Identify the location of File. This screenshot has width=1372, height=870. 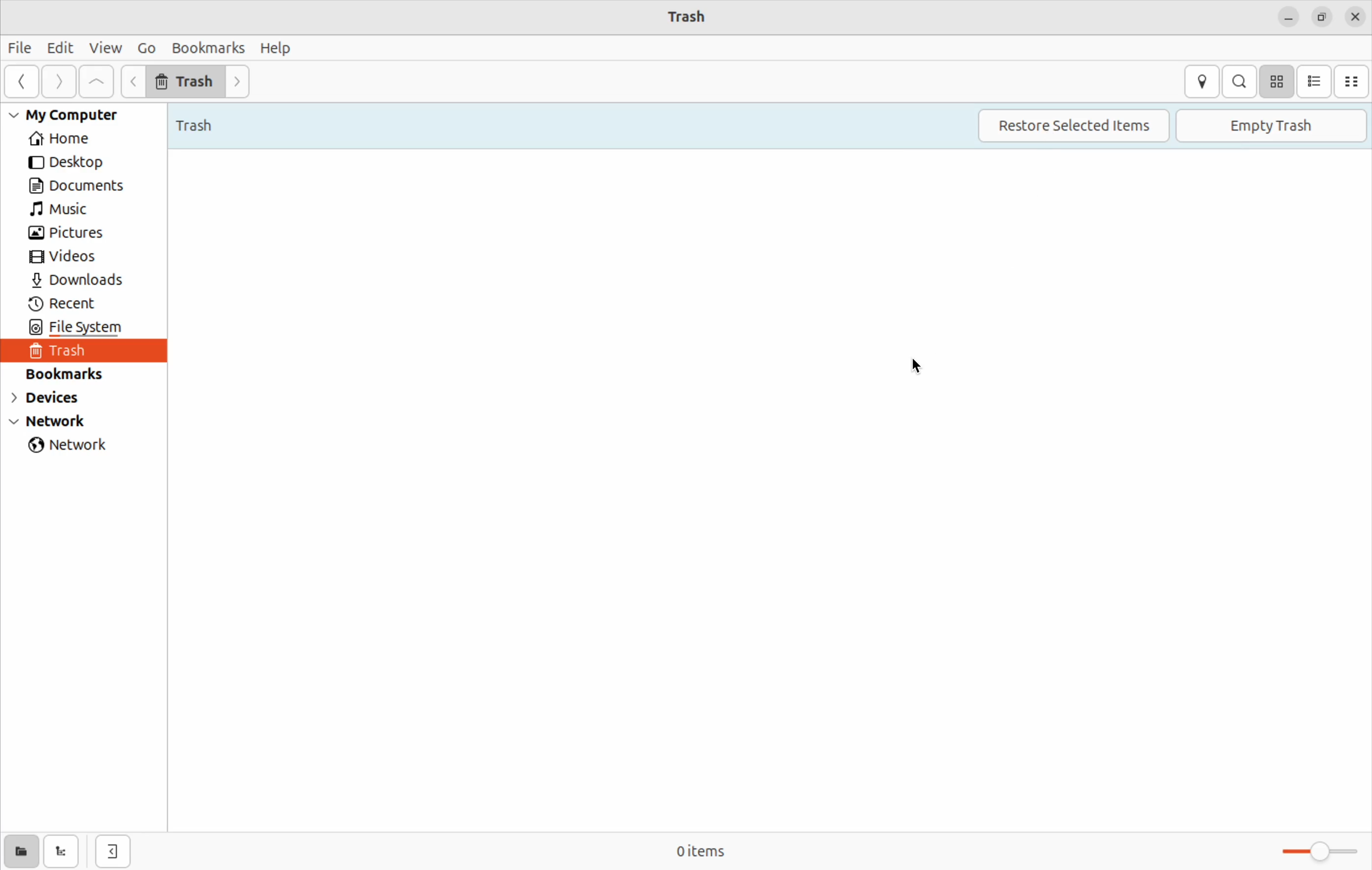
(21, 50).